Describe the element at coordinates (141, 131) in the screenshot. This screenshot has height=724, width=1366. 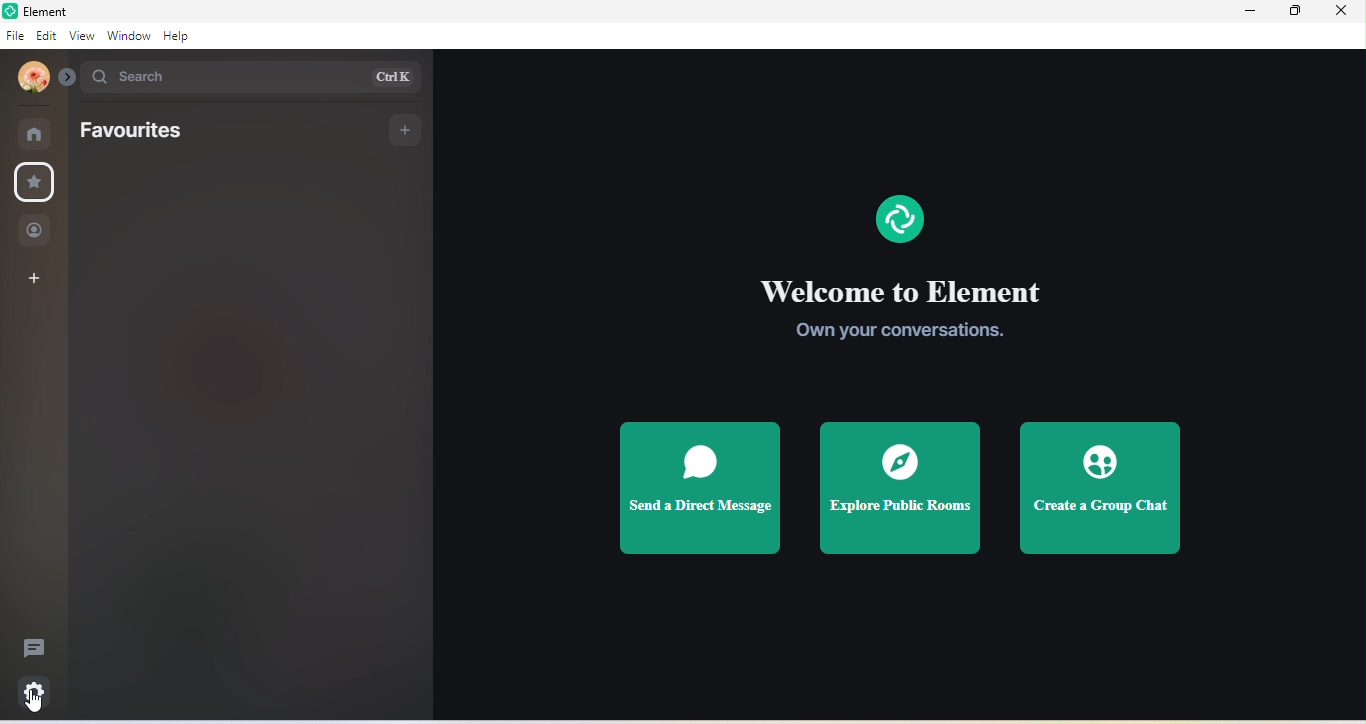
I see `favourites` at that location.